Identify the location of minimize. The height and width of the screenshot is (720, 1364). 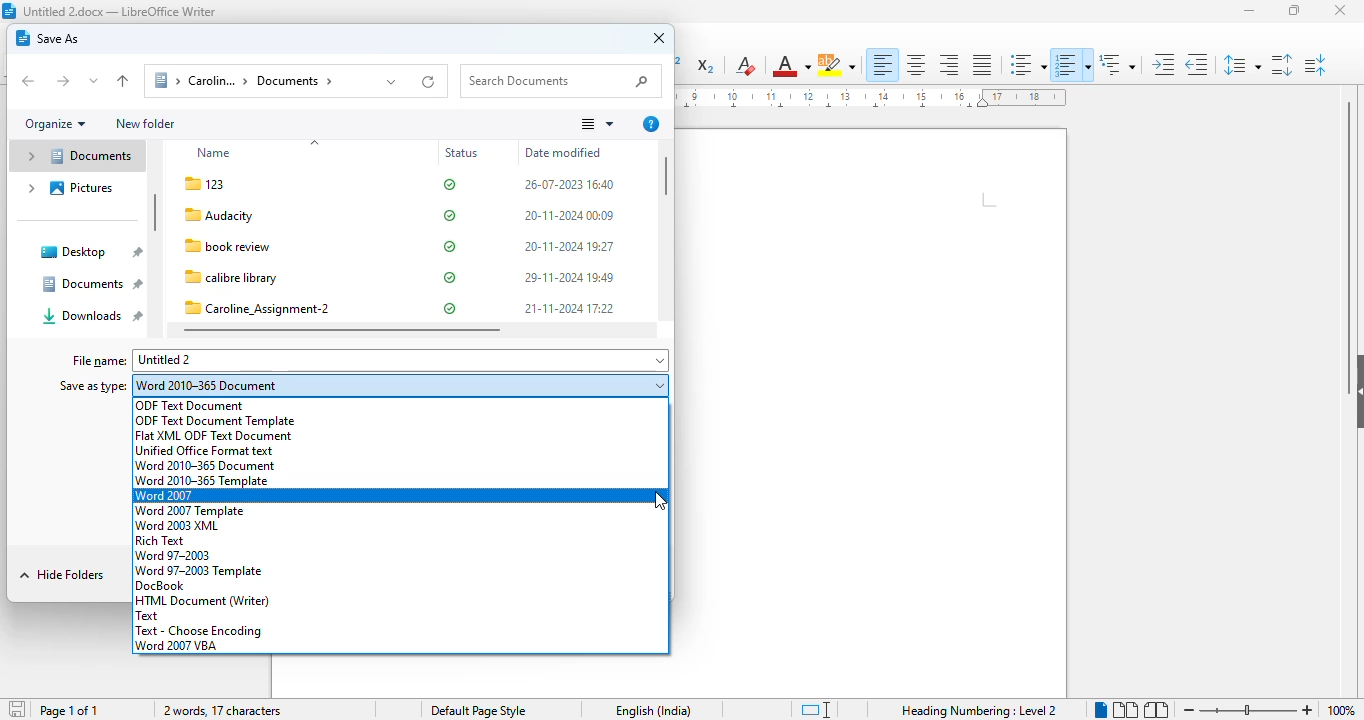
(1251, 11).